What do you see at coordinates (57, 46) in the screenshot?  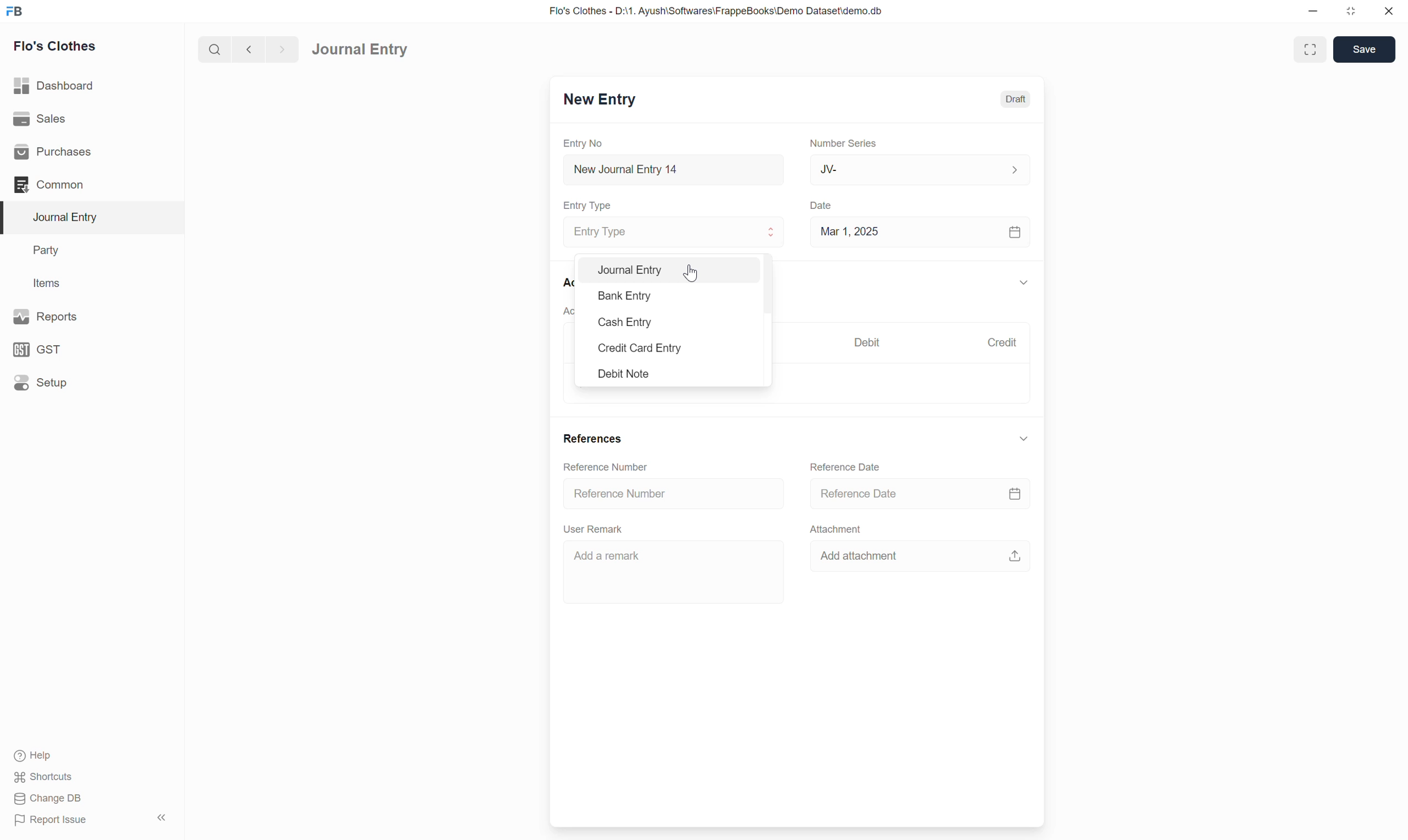 I see `Flo's Clothes` at bounding box center [57, 46].